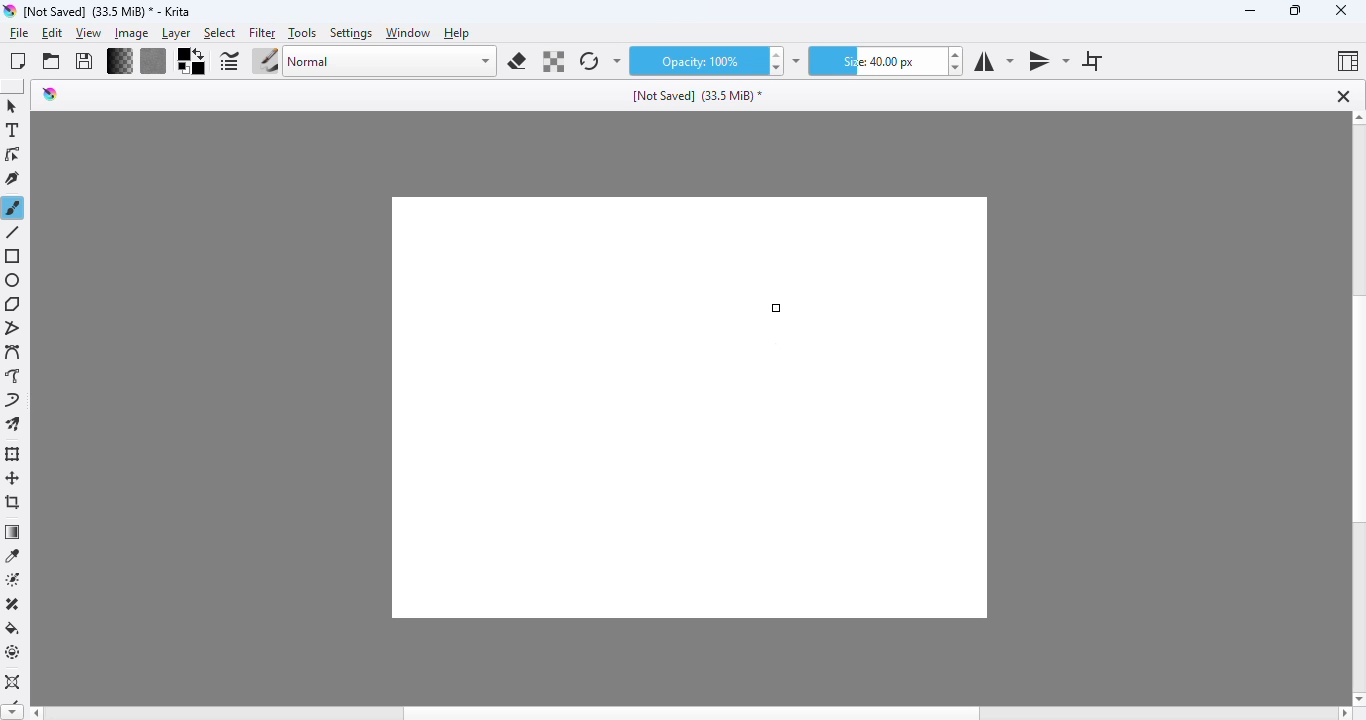 The image size is (1366, 720). What do you see at coordinates (1357, 411) in the screenshot?
I see `vertical scroll bar` at bounding box center [1357, 411].